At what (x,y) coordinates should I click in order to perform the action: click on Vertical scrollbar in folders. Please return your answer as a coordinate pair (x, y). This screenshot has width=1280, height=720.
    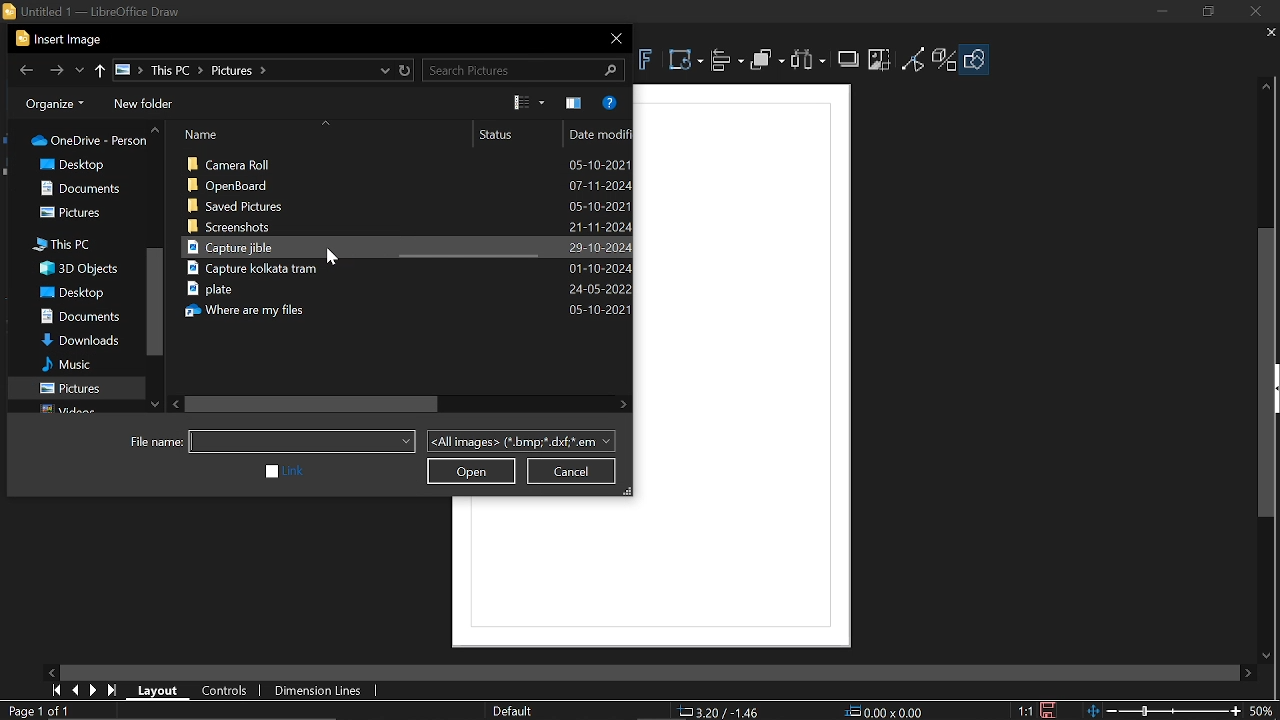
    Looking at the image, I should click on (155, 301).